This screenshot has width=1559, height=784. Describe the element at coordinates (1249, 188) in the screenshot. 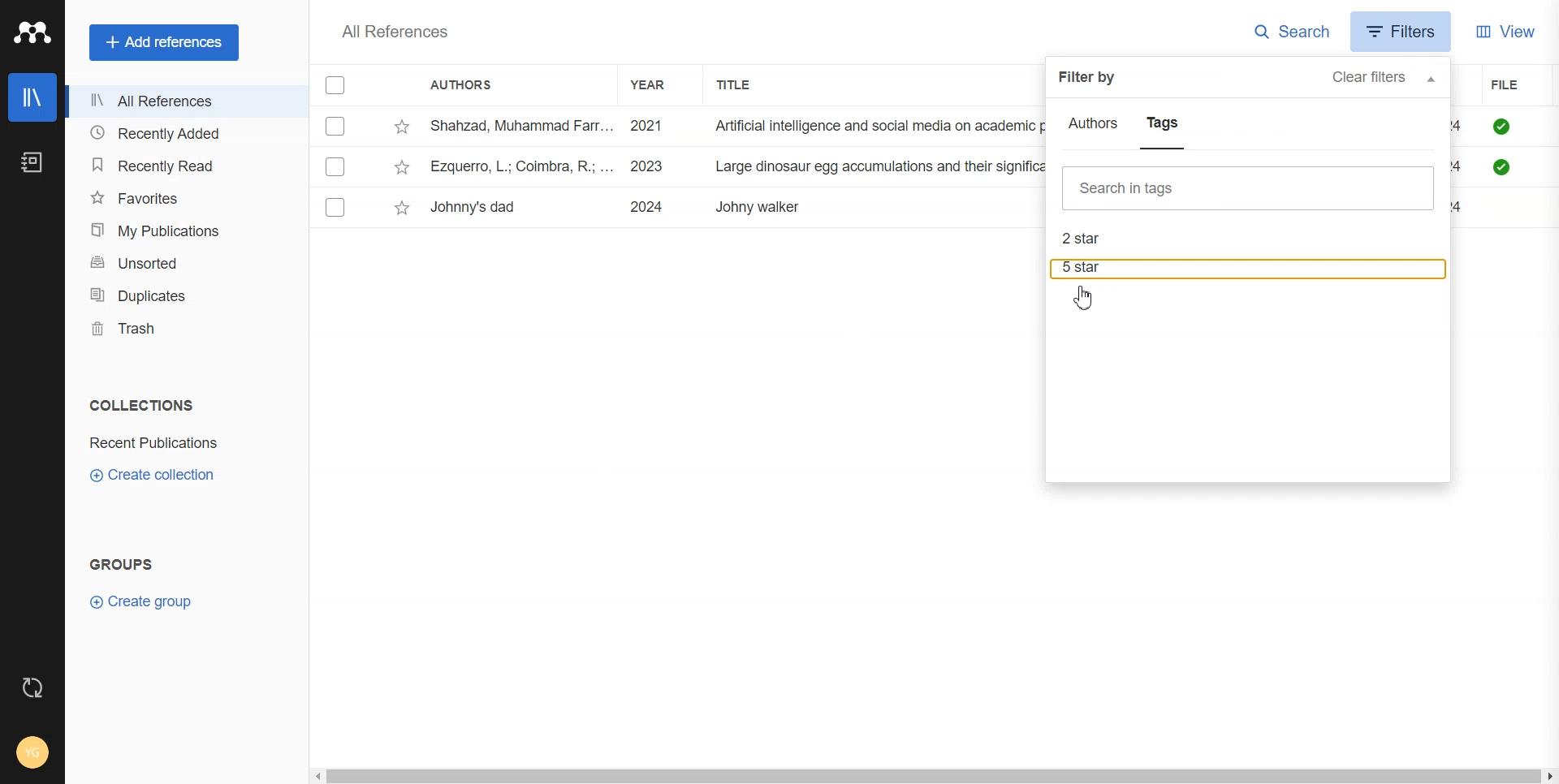

I see `Search Bar` at that location.